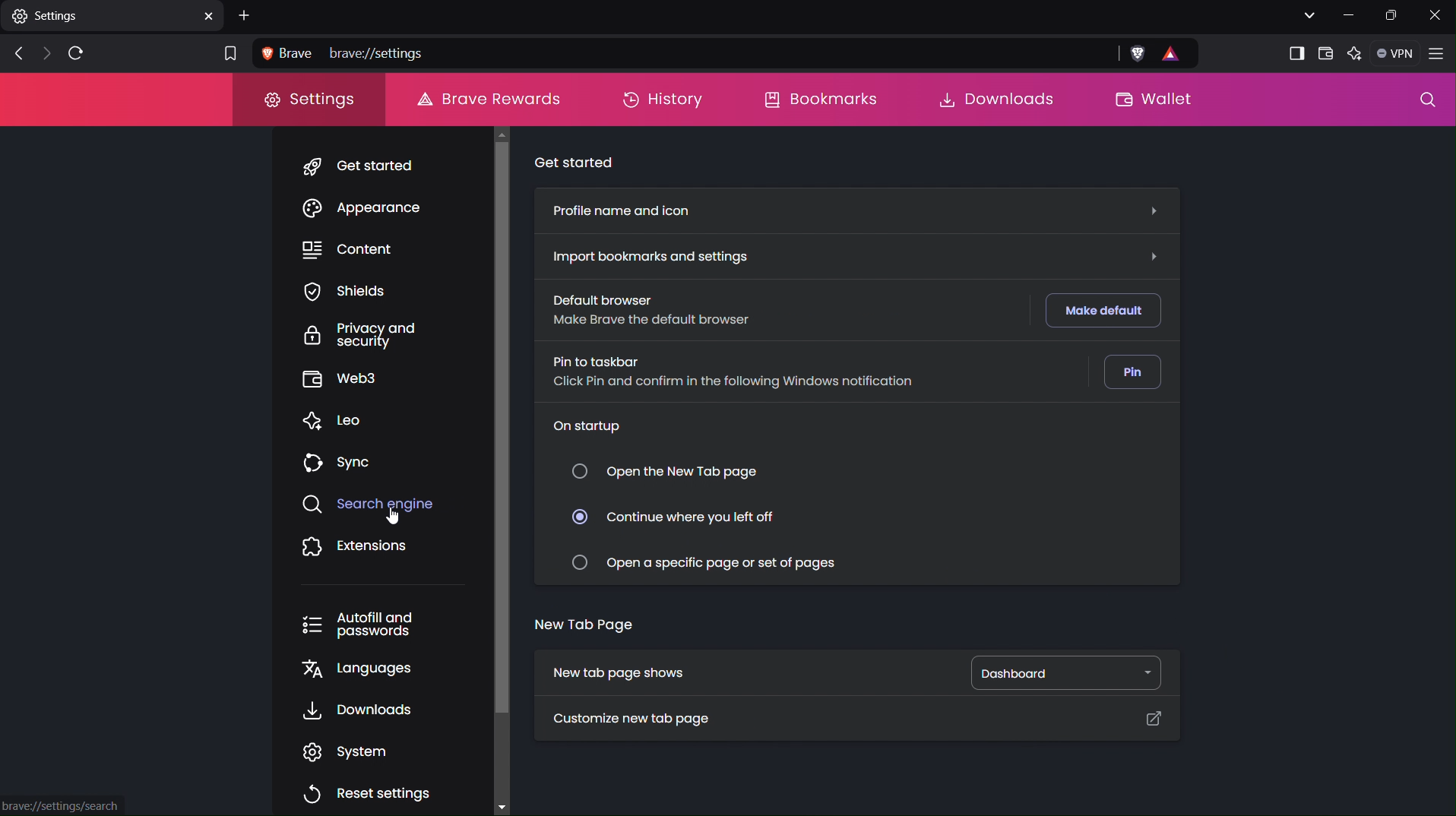  I want to click on Autofill and passwords, so click(357, 625).